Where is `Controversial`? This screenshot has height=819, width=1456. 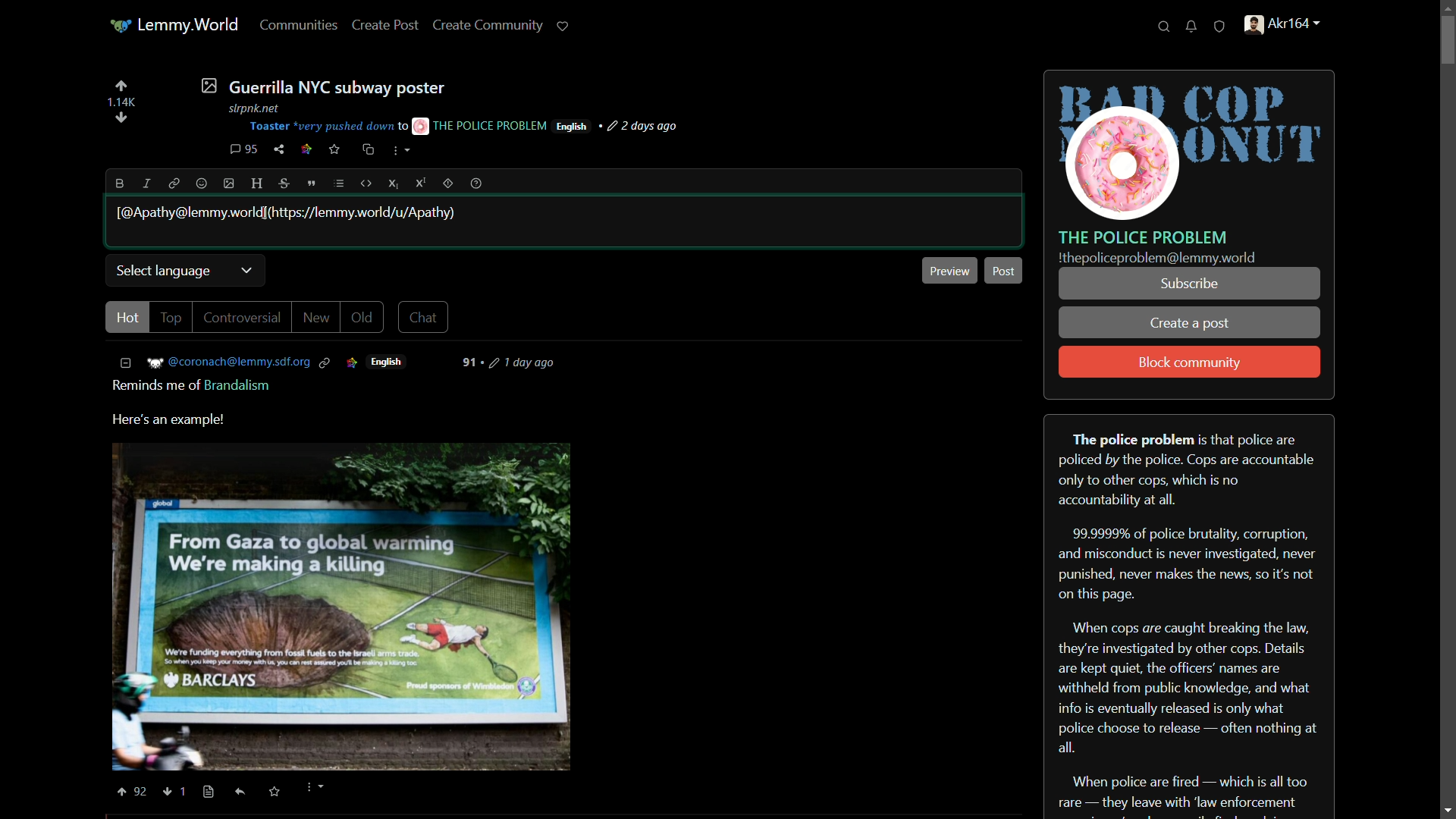
Controversial is located at coordinates (243, 318).